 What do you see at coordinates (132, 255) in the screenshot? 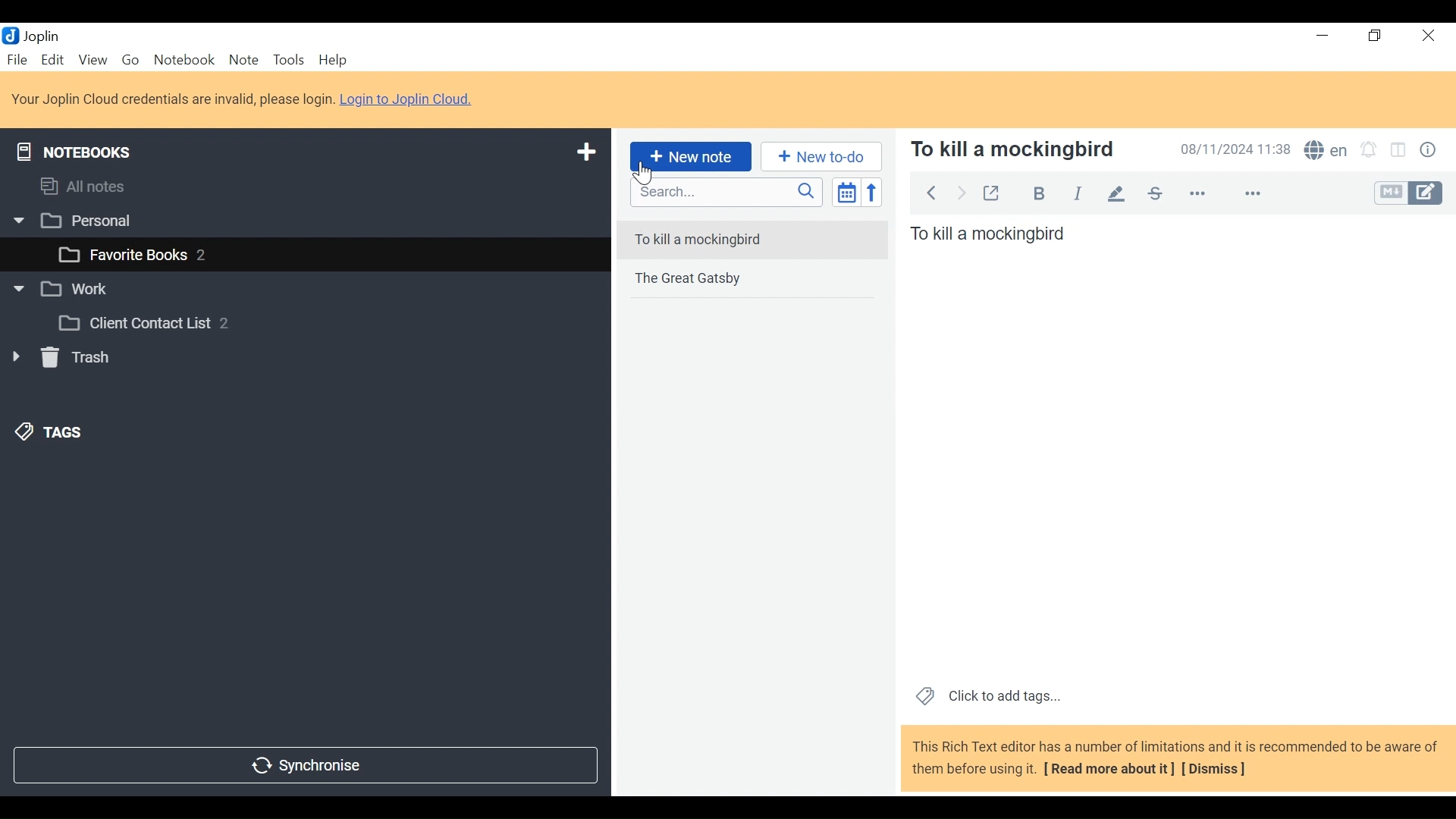
I see `favourite books` at bounding box center [132, 255].